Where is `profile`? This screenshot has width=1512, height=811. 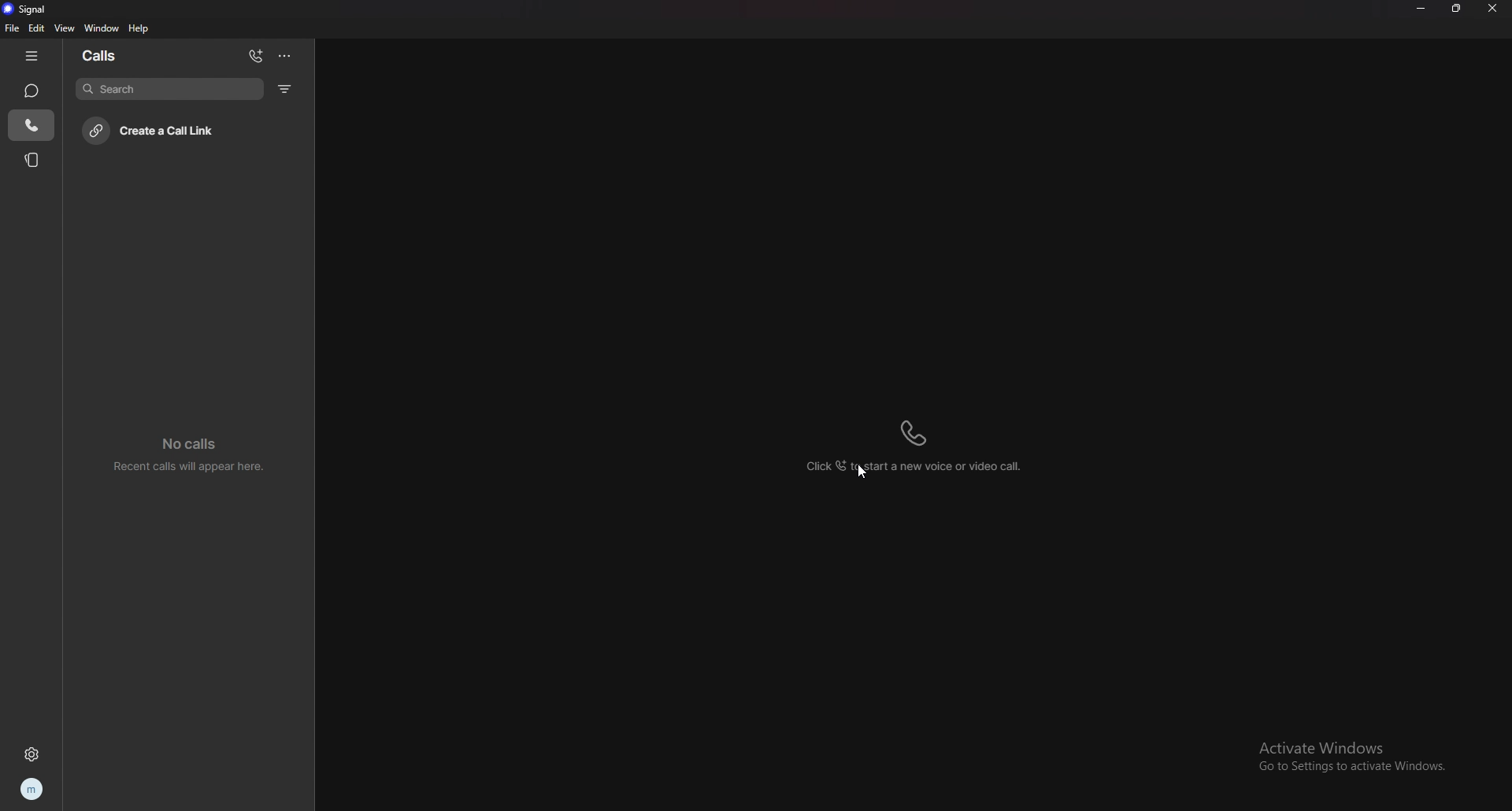 profile is located at coordinates (34, 789).